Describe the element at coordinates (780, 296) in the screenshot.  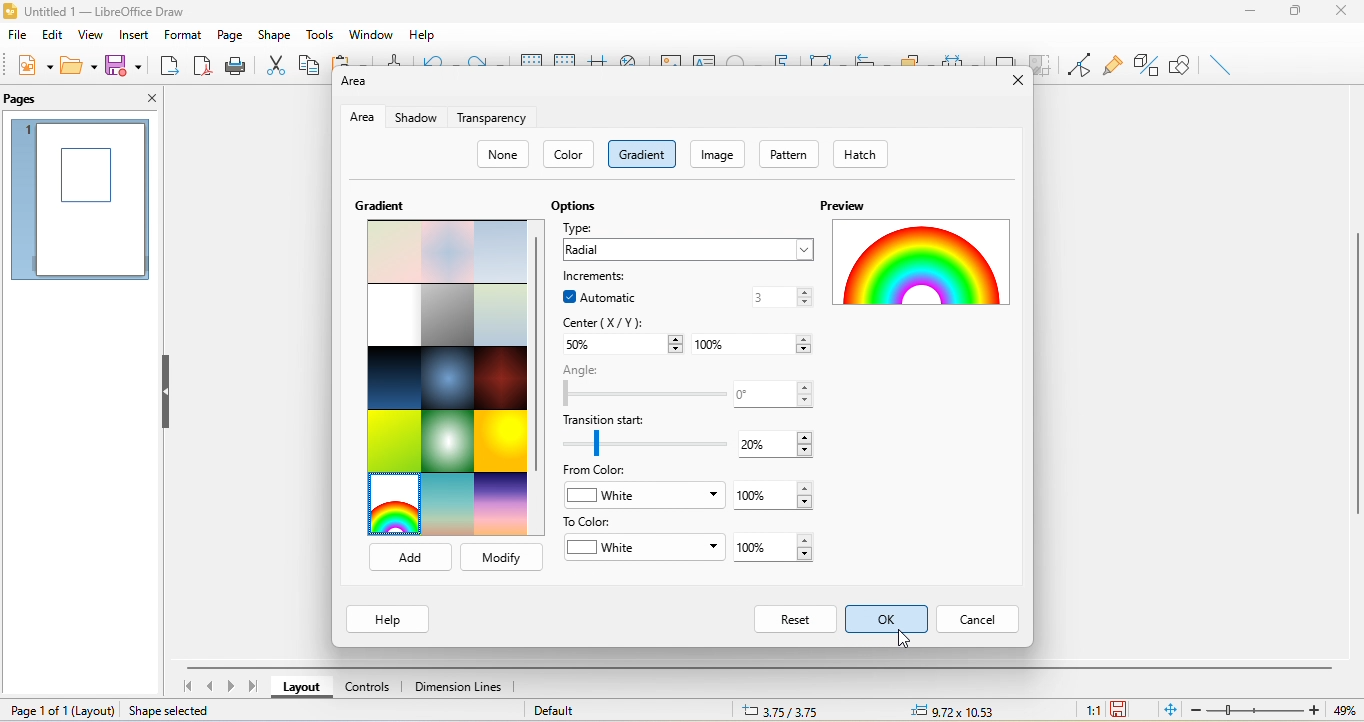
I see `3` at that location.